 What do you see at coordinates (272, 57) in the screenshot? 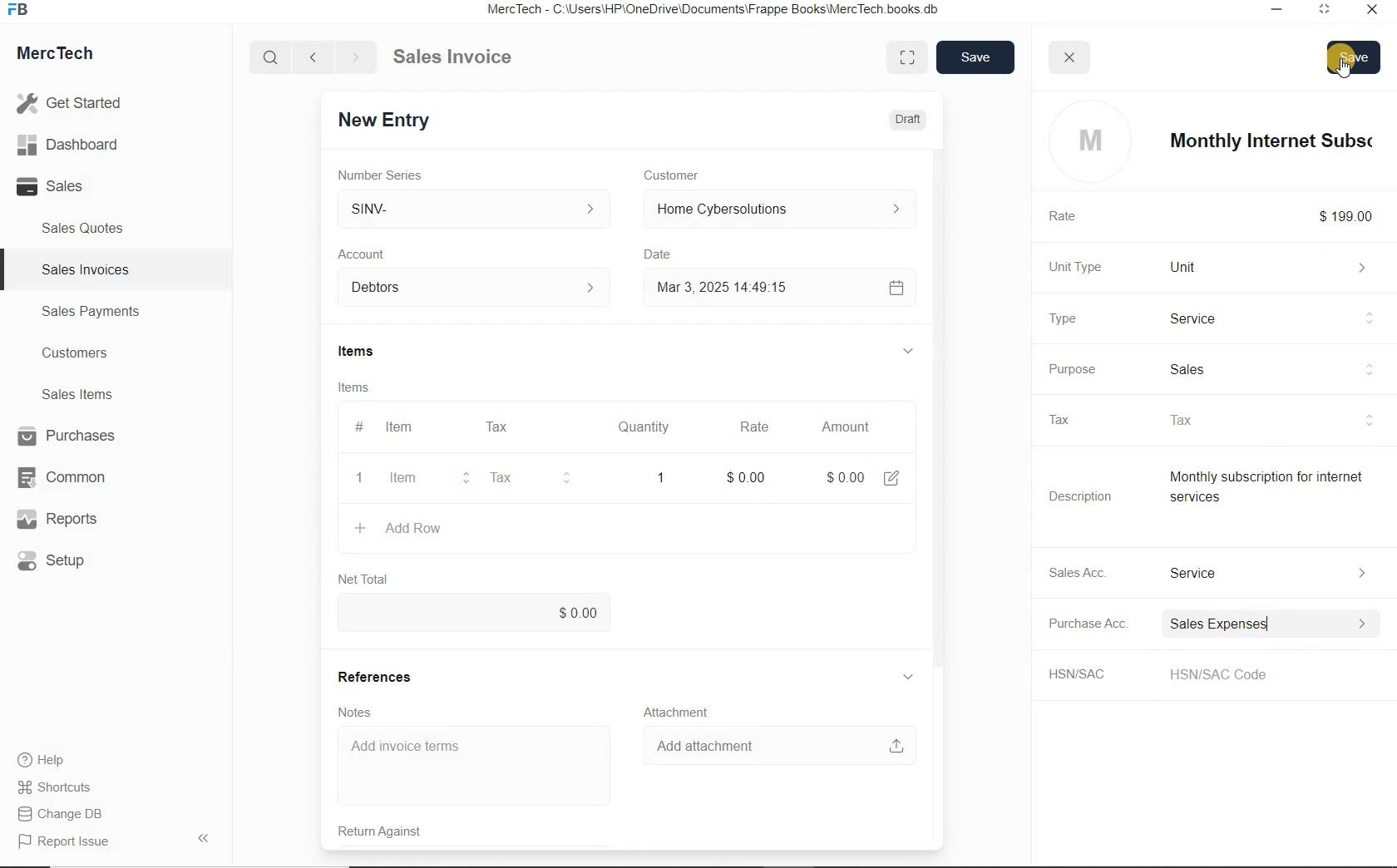
I see `Search` at bounding box center [272, 57].